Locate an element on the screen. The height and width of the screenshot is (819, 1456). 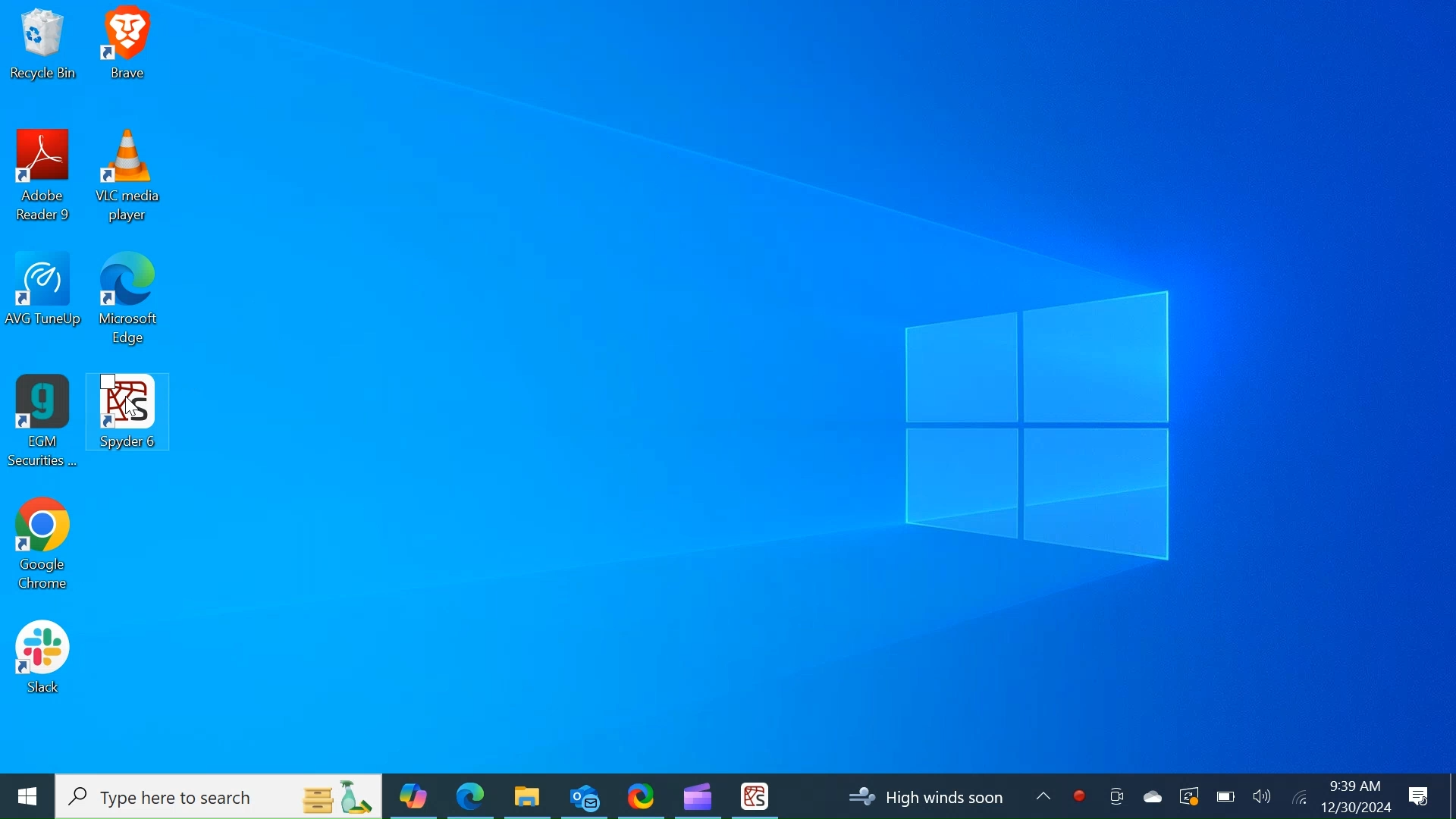
Recycle bin Desktop Icon is located at coordinates (42, 46).